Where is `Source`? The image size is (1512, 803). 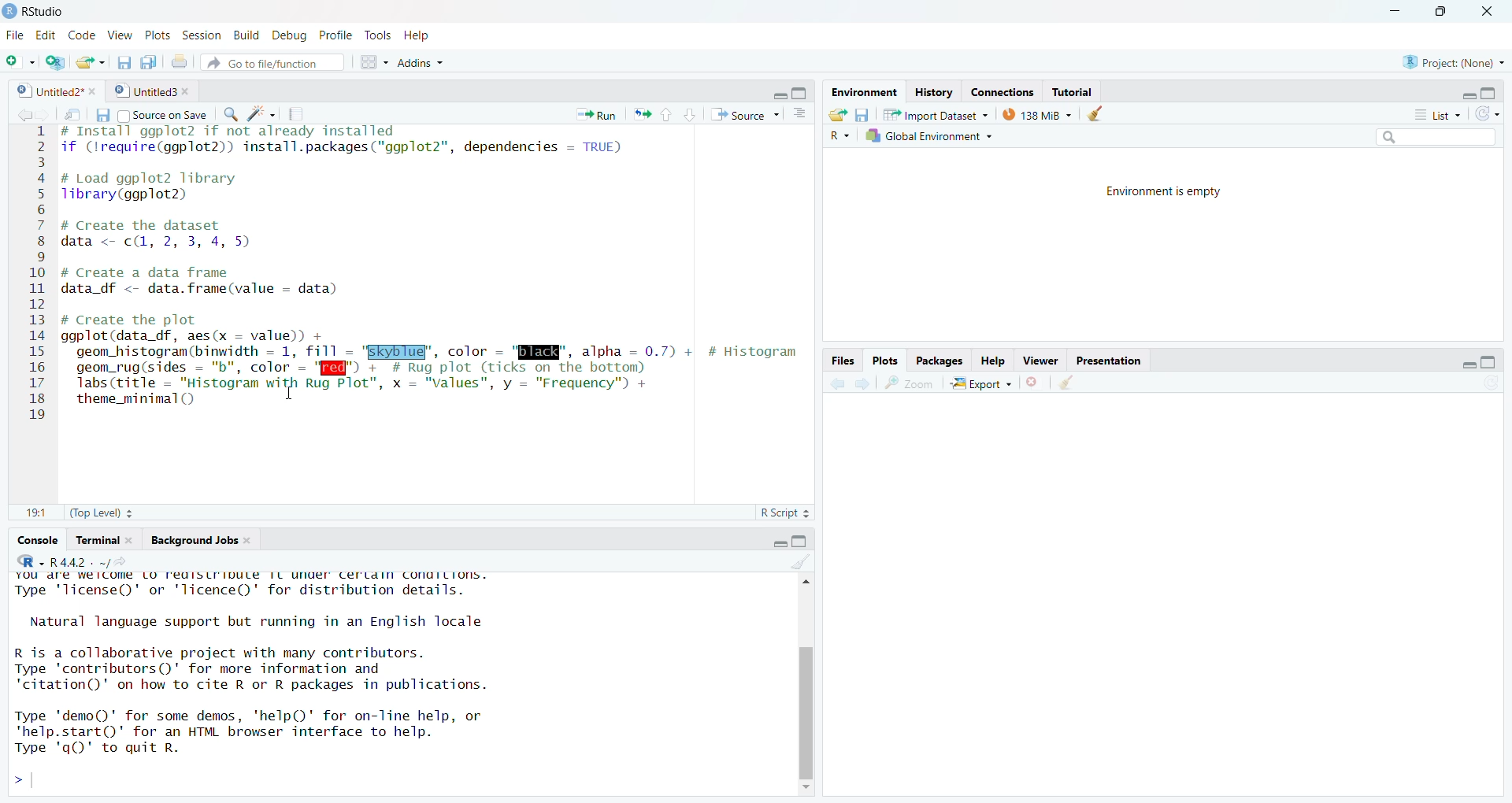 Source is located at coordinates (743, 116).